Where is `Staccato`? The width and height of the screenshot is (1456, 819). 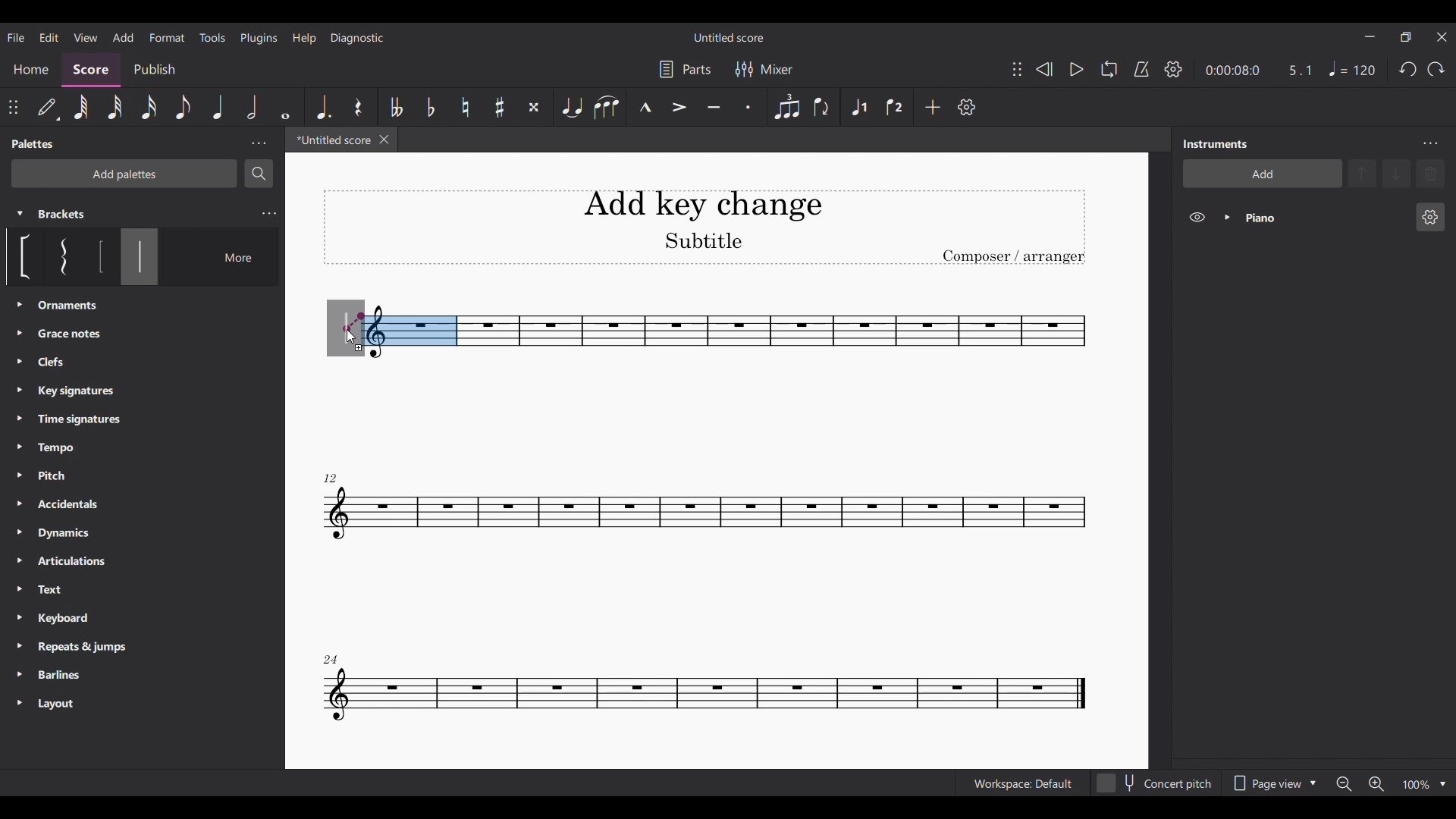 Staccato is located at coordinates (748, 107).